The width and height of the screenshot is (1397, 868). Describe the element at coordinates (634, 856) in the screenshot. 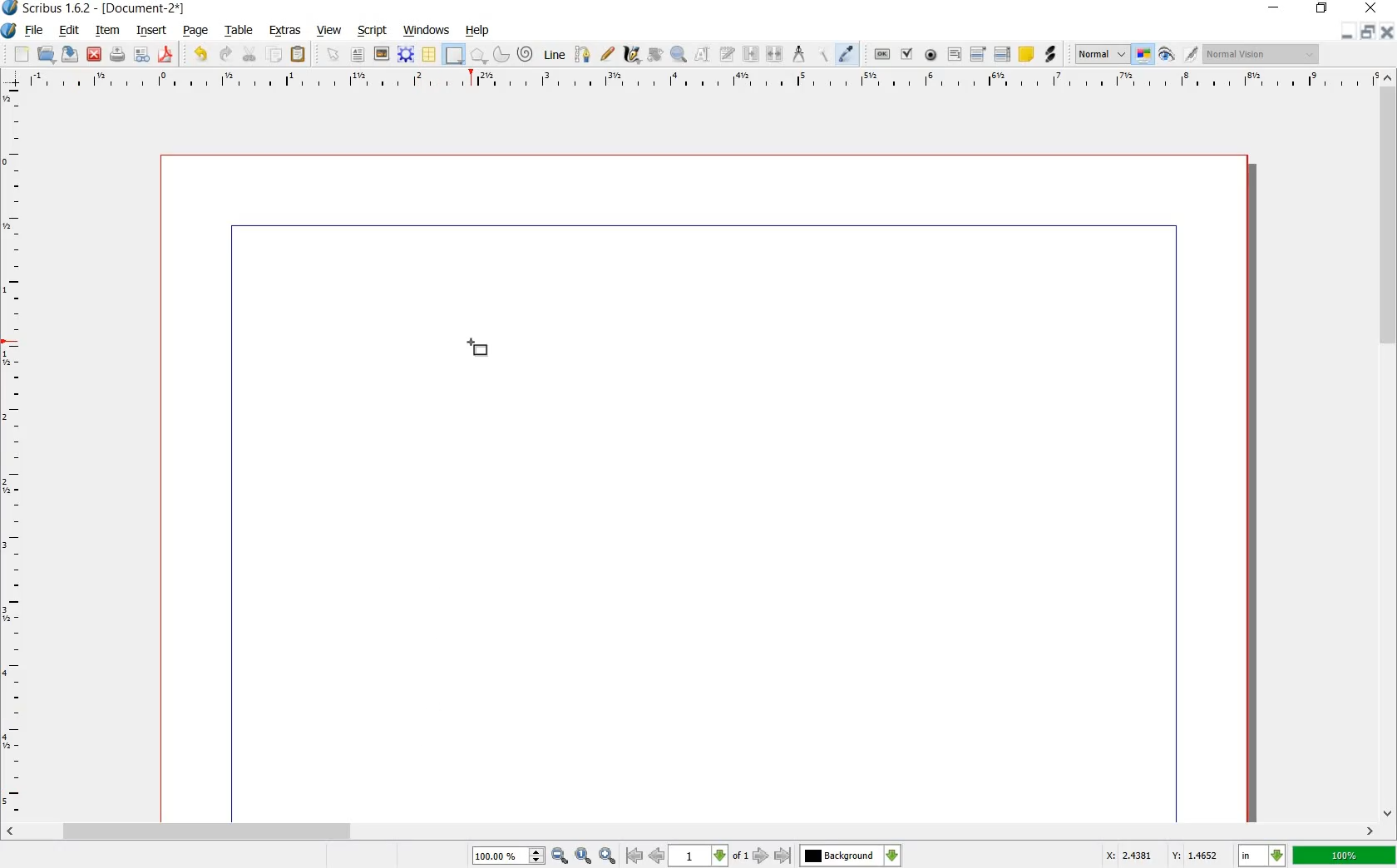

I see `go to first page` at that location.